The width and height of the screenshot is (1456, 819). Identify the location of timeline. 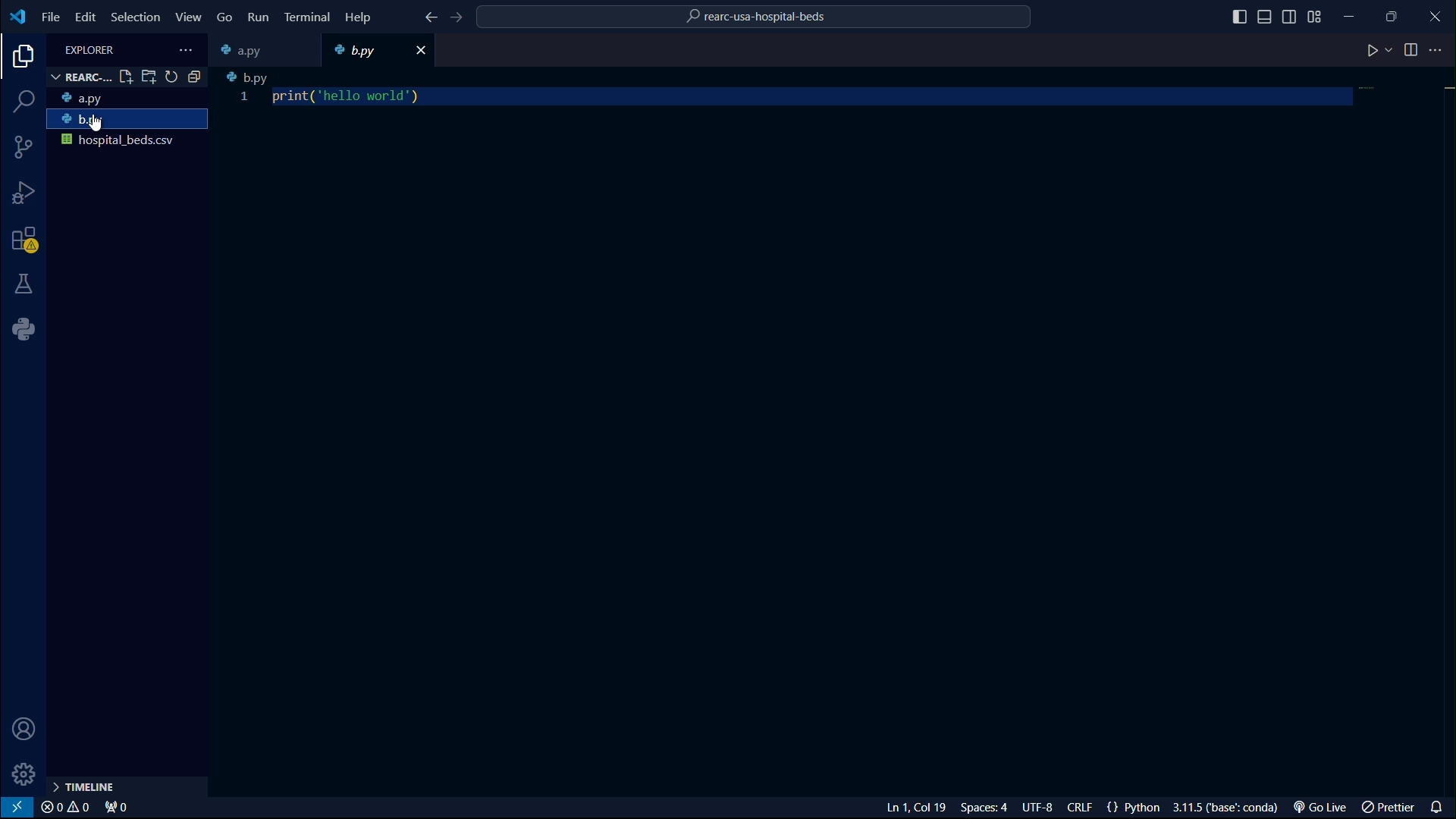
(83, 787).